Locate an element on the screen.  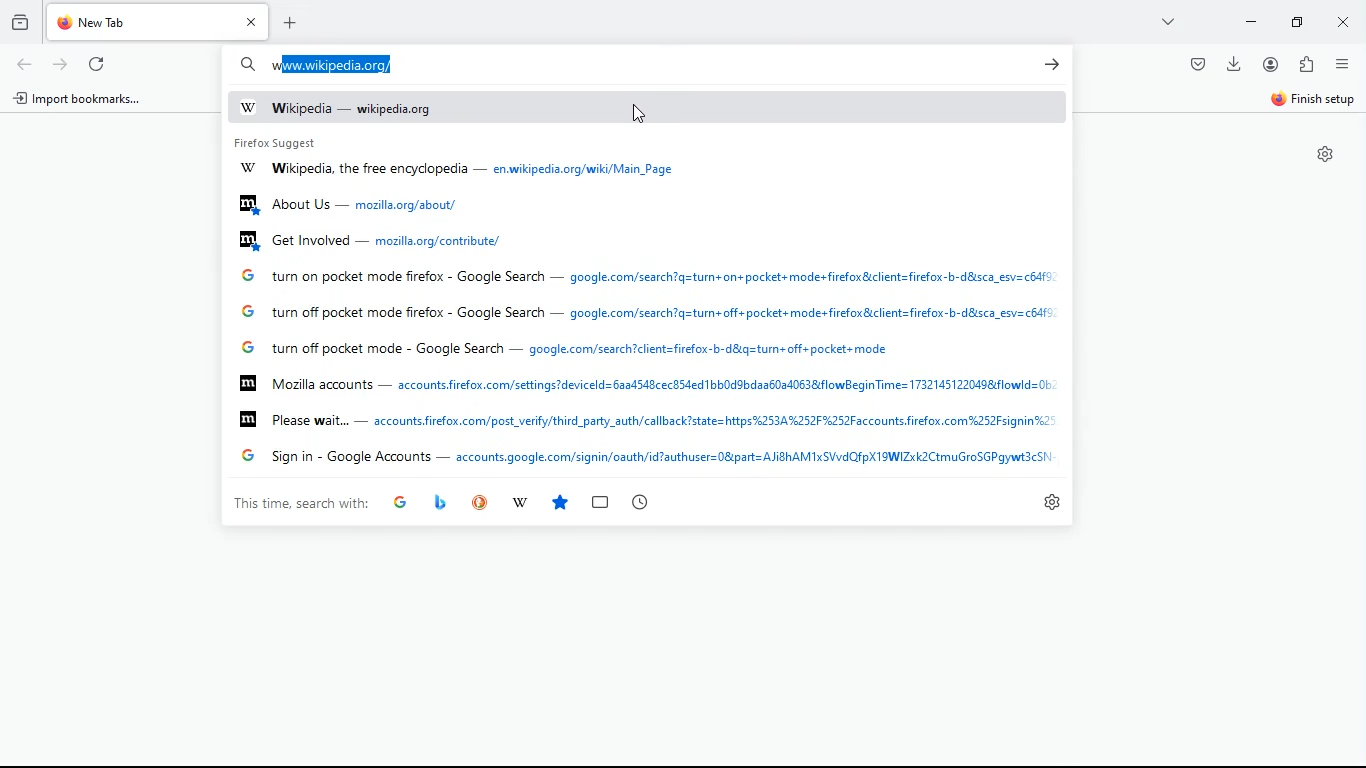
extention is located at coordinates (1308, 64).